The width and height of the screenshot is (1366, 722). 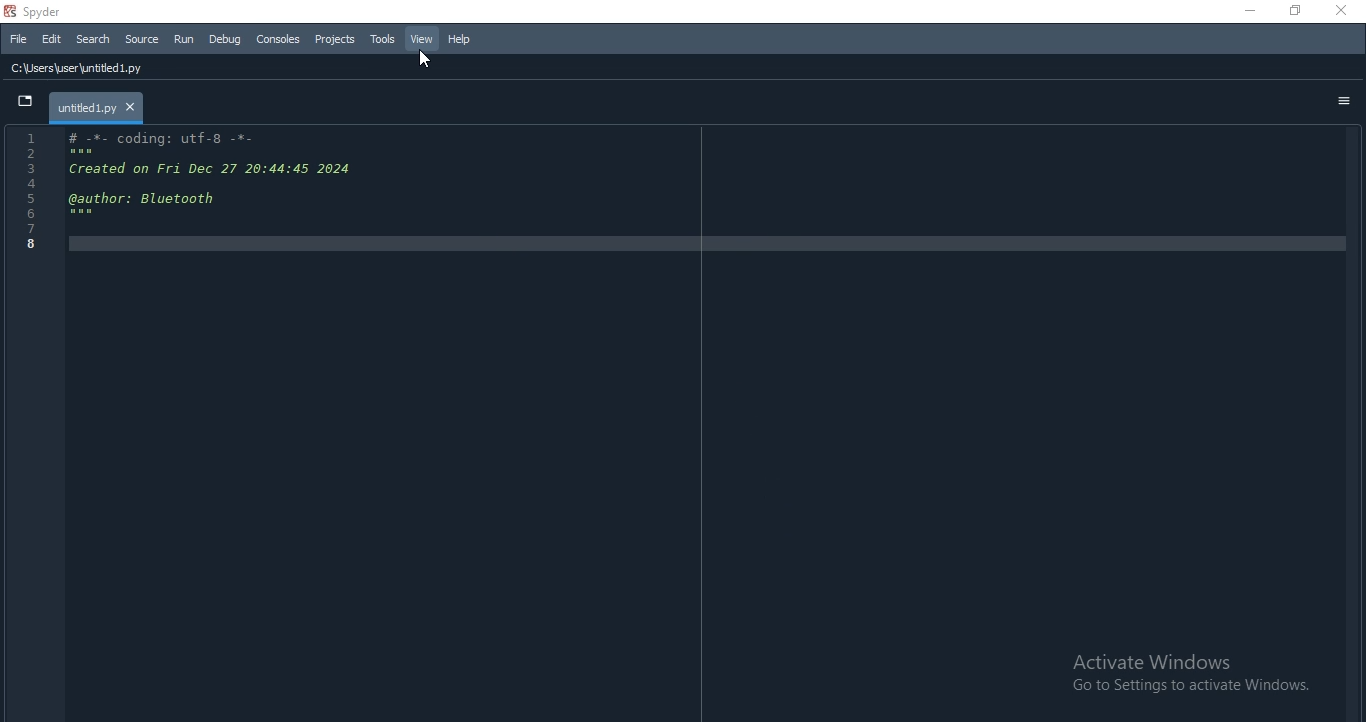 I want to click on View, so click(x=422, y=39).